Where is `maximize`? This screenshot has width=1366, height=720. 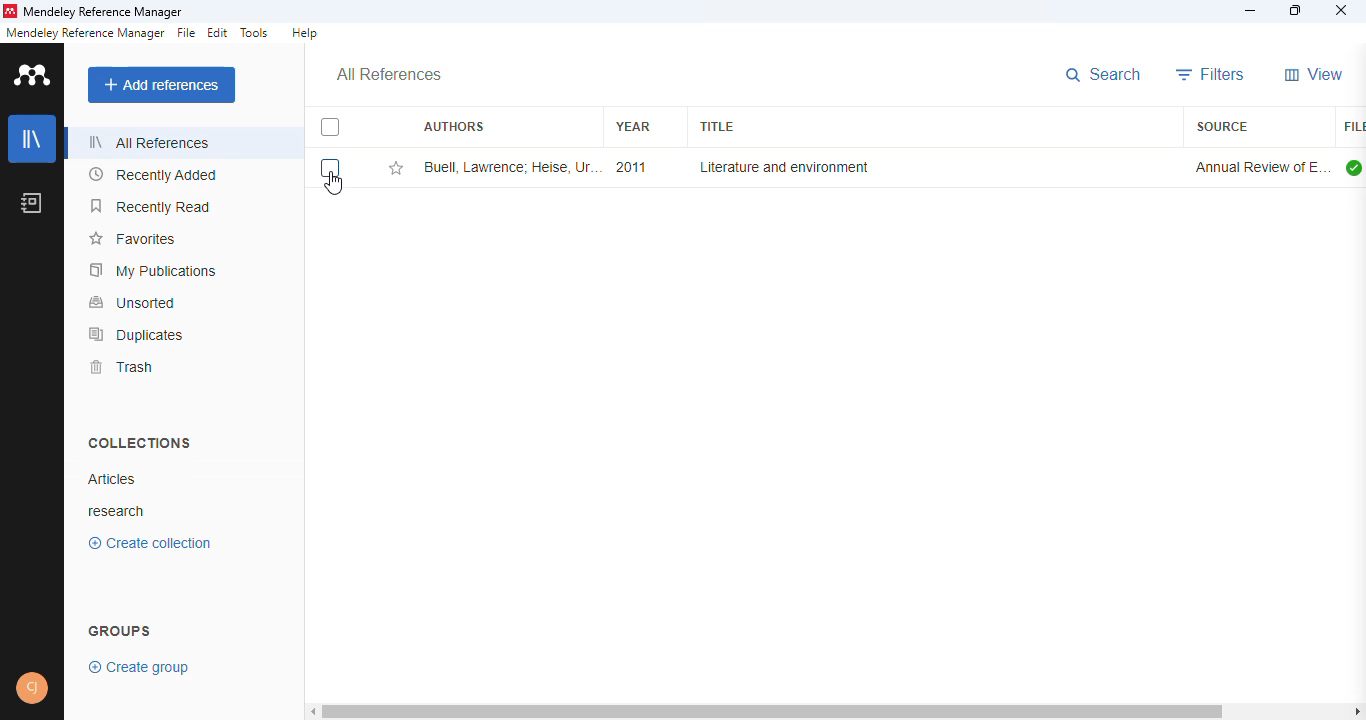
maximize is located at coordinates (1297, 10).